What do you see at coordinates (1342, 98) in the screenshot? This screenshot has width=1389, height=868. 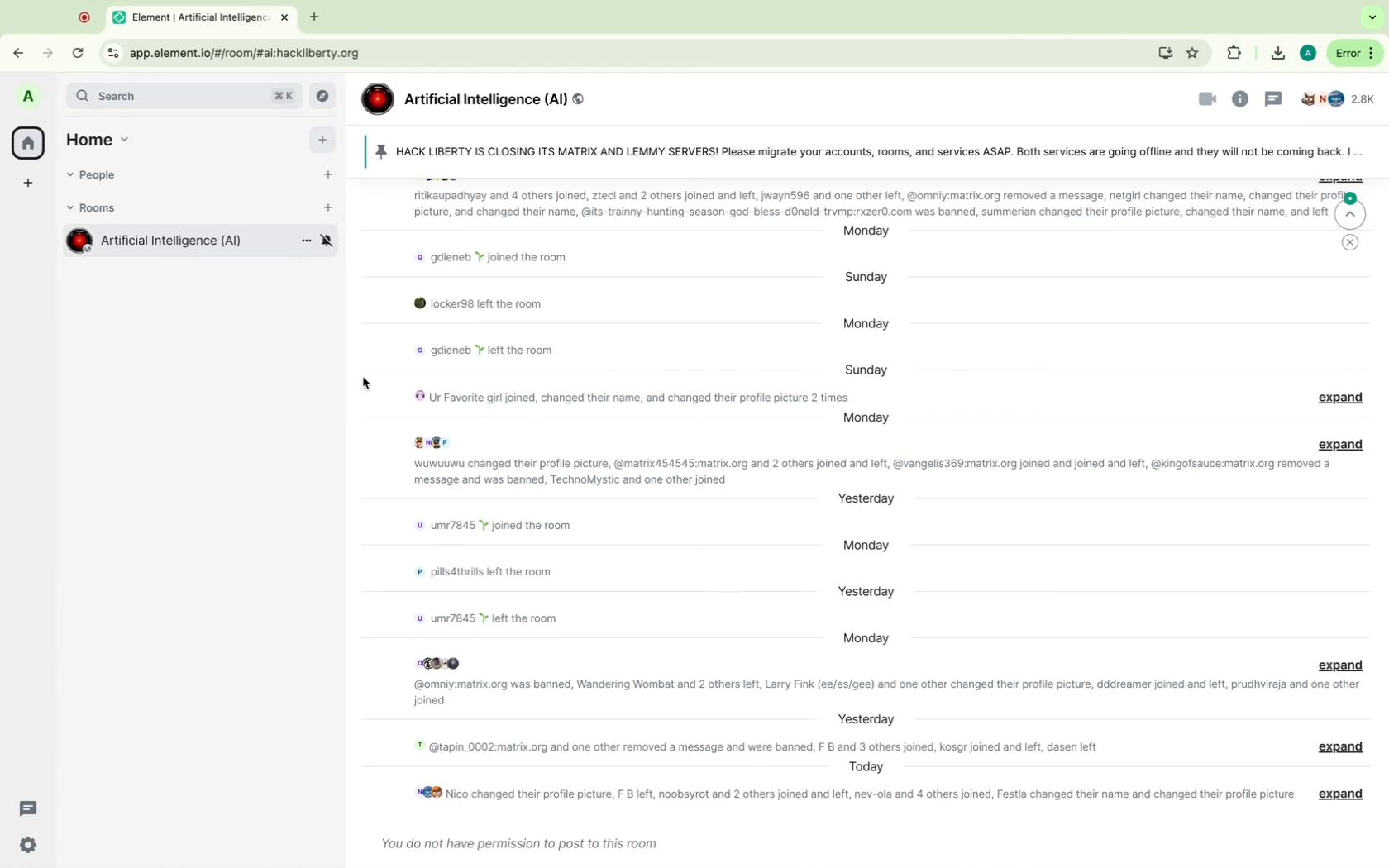 I see `people` at bounding box center [1342, 98].